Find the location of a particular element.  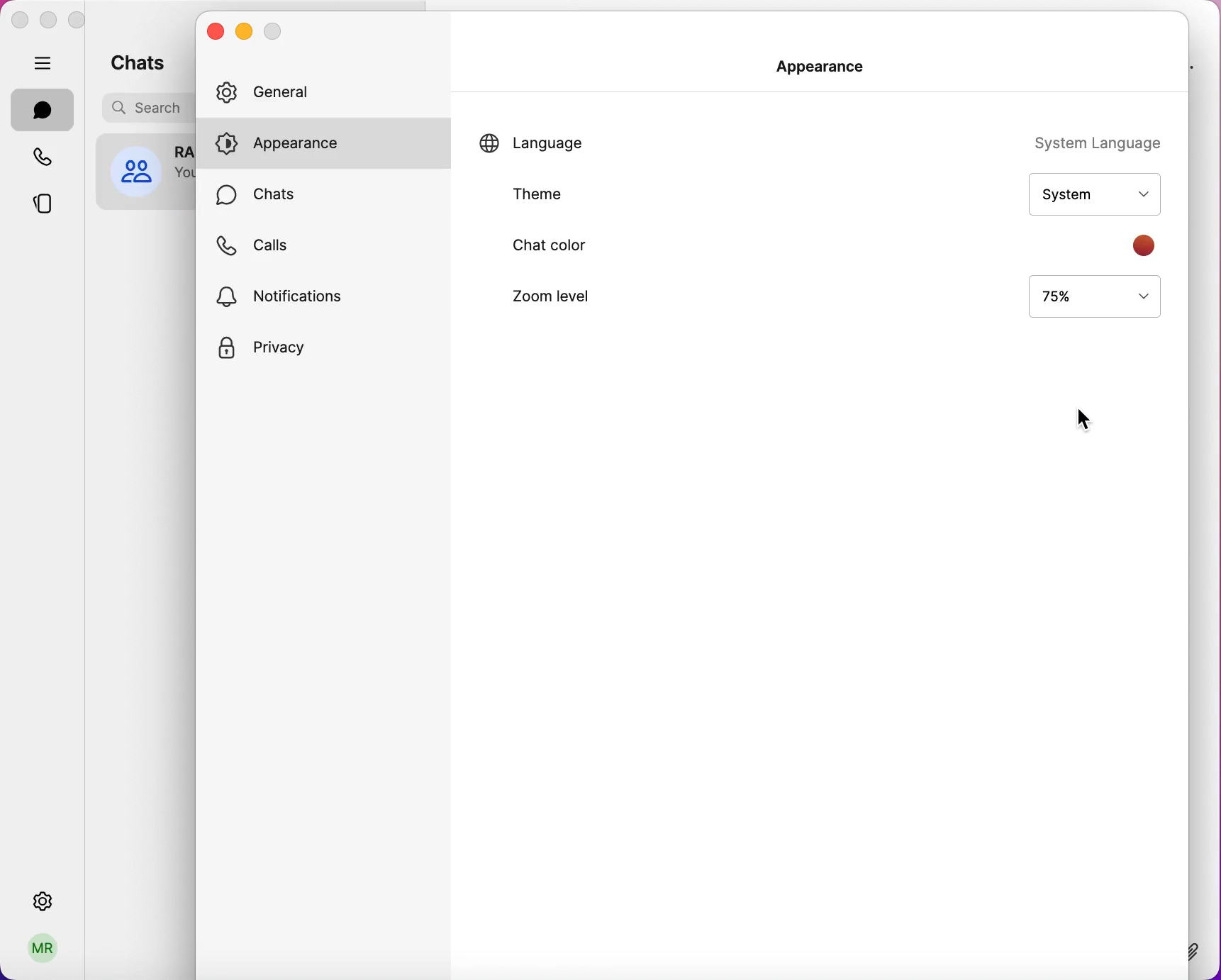

appearance is located at coordinates (316, 143).